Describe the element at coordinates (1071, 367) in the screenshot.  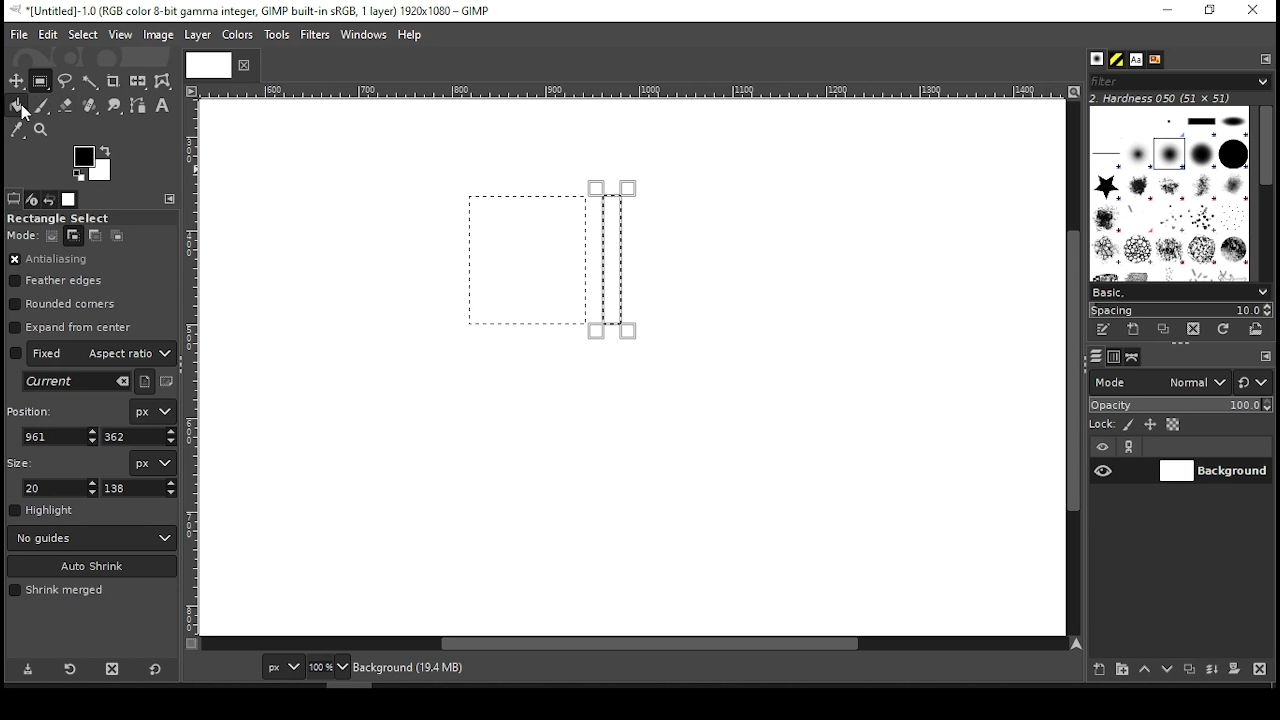
I see `scroll bar` at that location.